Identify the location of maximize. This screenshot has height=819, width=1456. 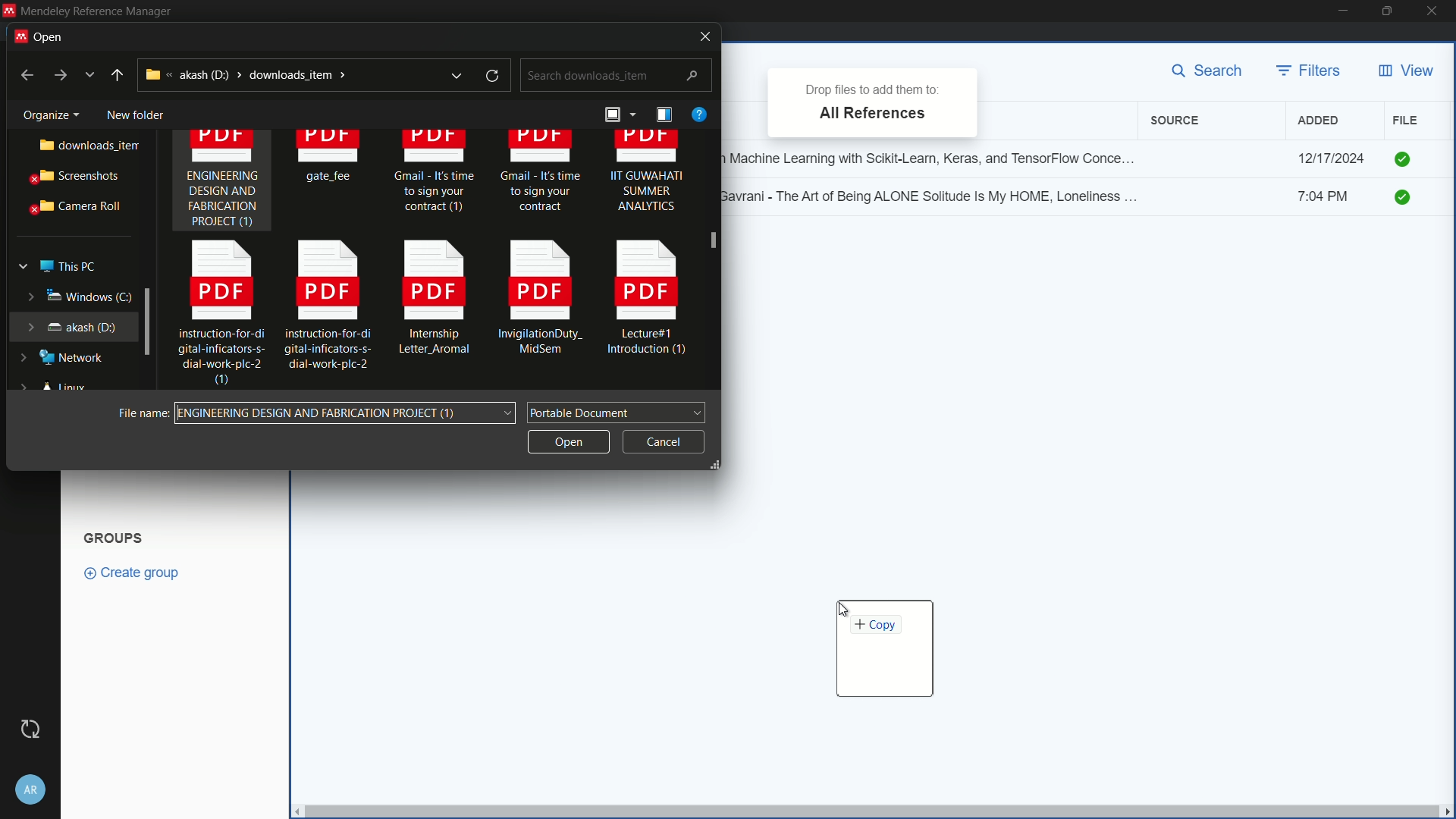
(1389, 11).